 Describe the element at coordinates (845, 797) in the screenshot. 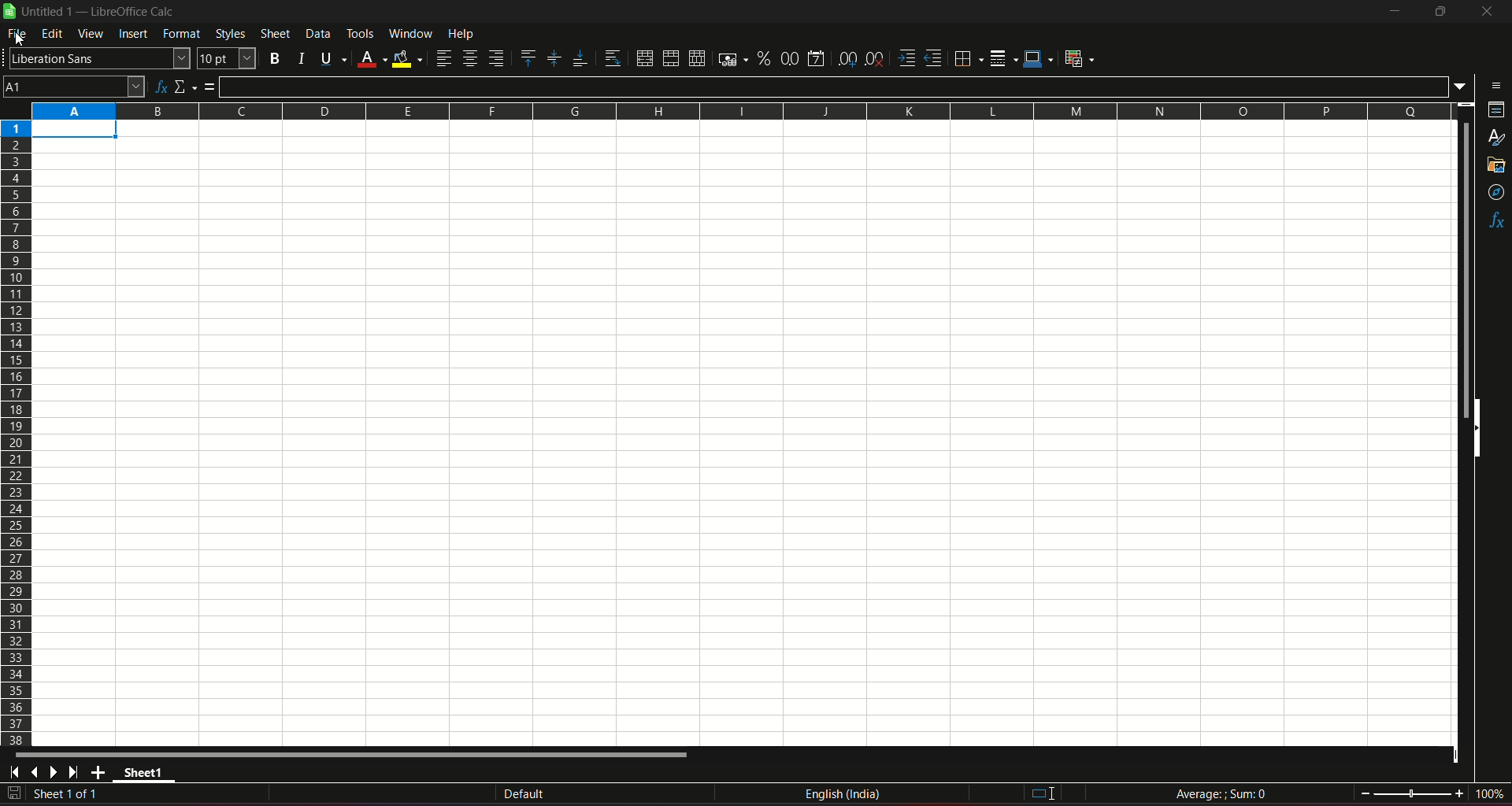

I see `language` at that location.